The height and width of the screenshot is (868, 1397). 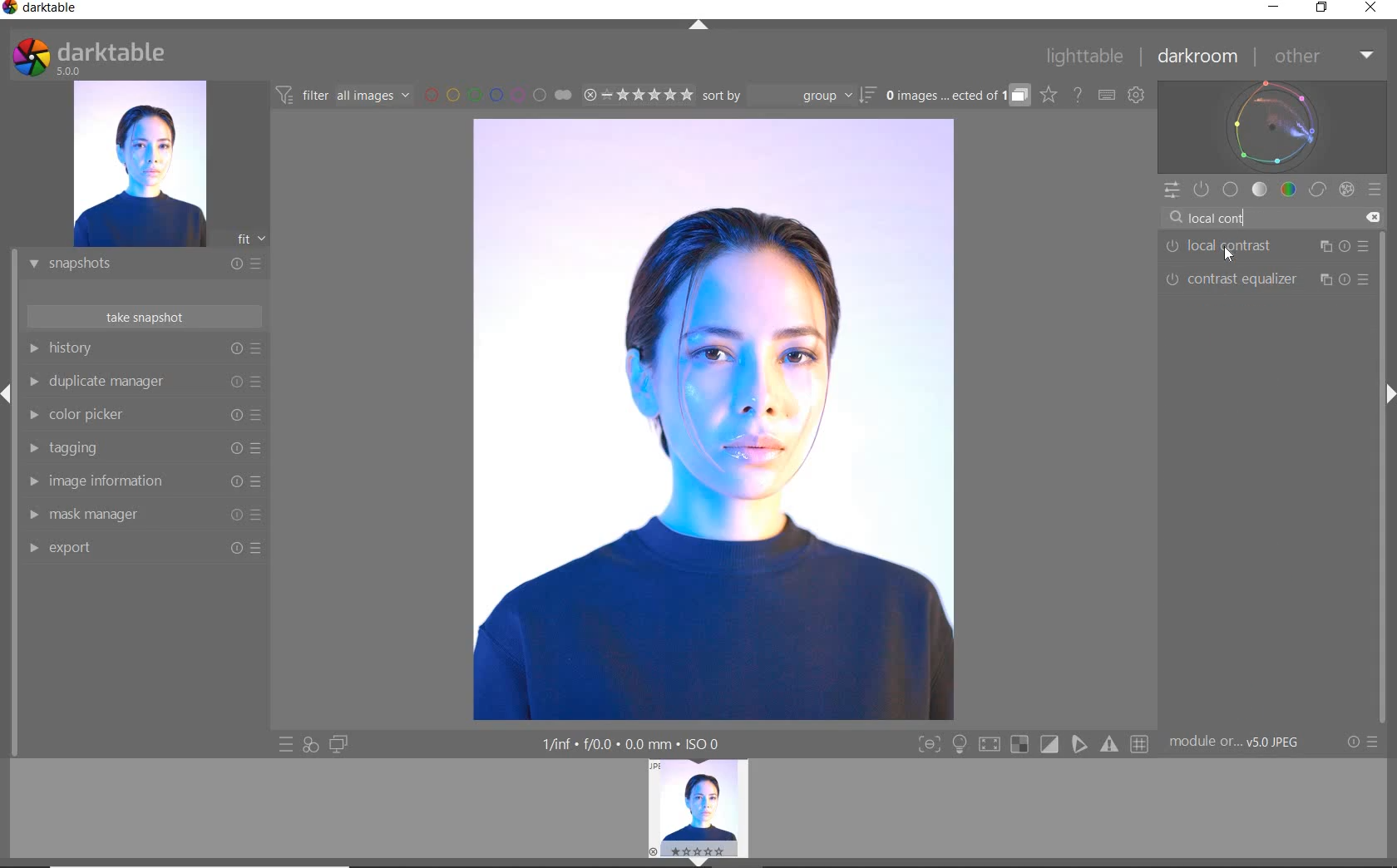 I want to click on SHOW ONLY ACTIVE MODULES, so click(x=1202, y=190).